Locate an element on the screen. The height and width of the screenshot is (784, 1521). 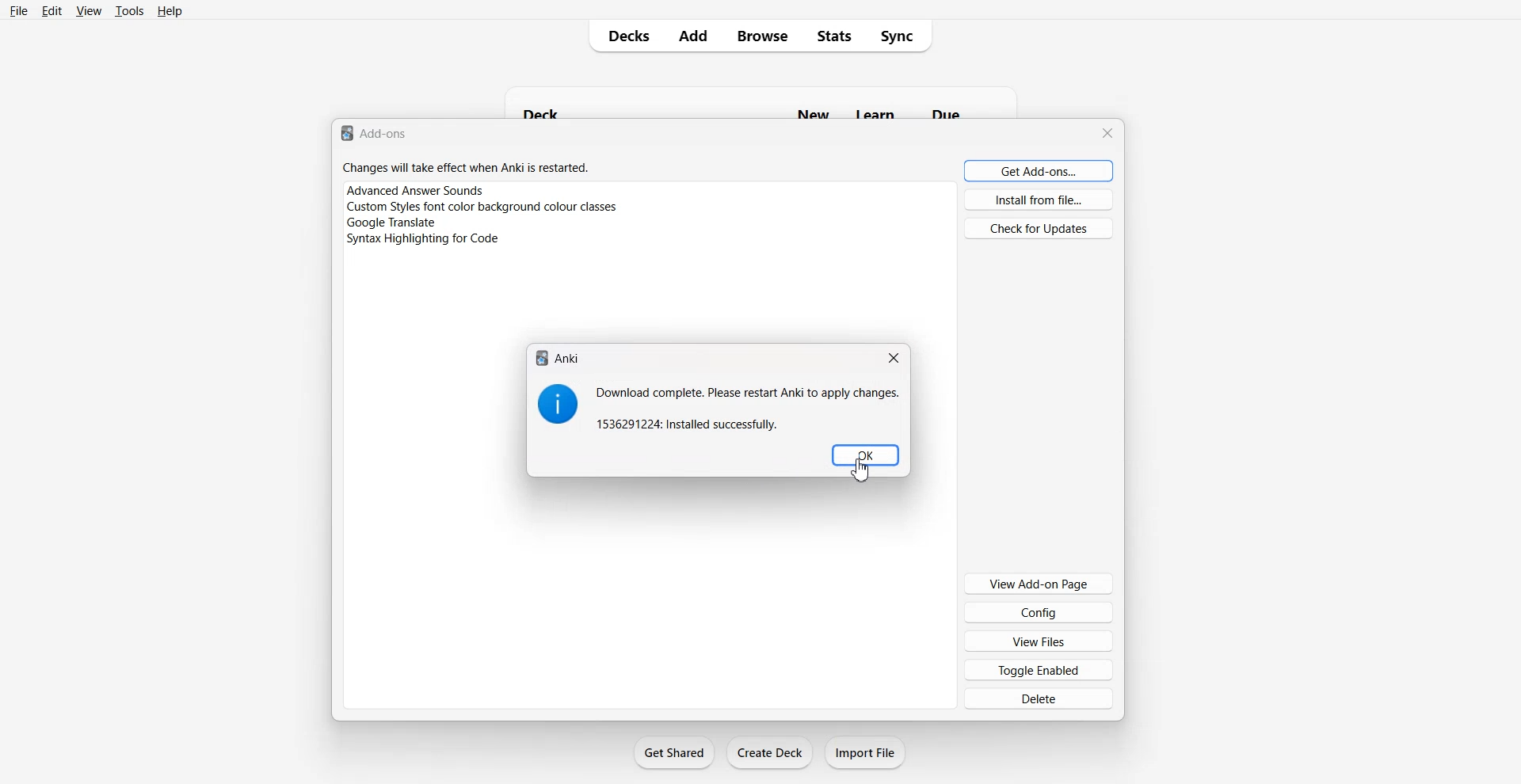
logo is located at coordinates (345, 134).